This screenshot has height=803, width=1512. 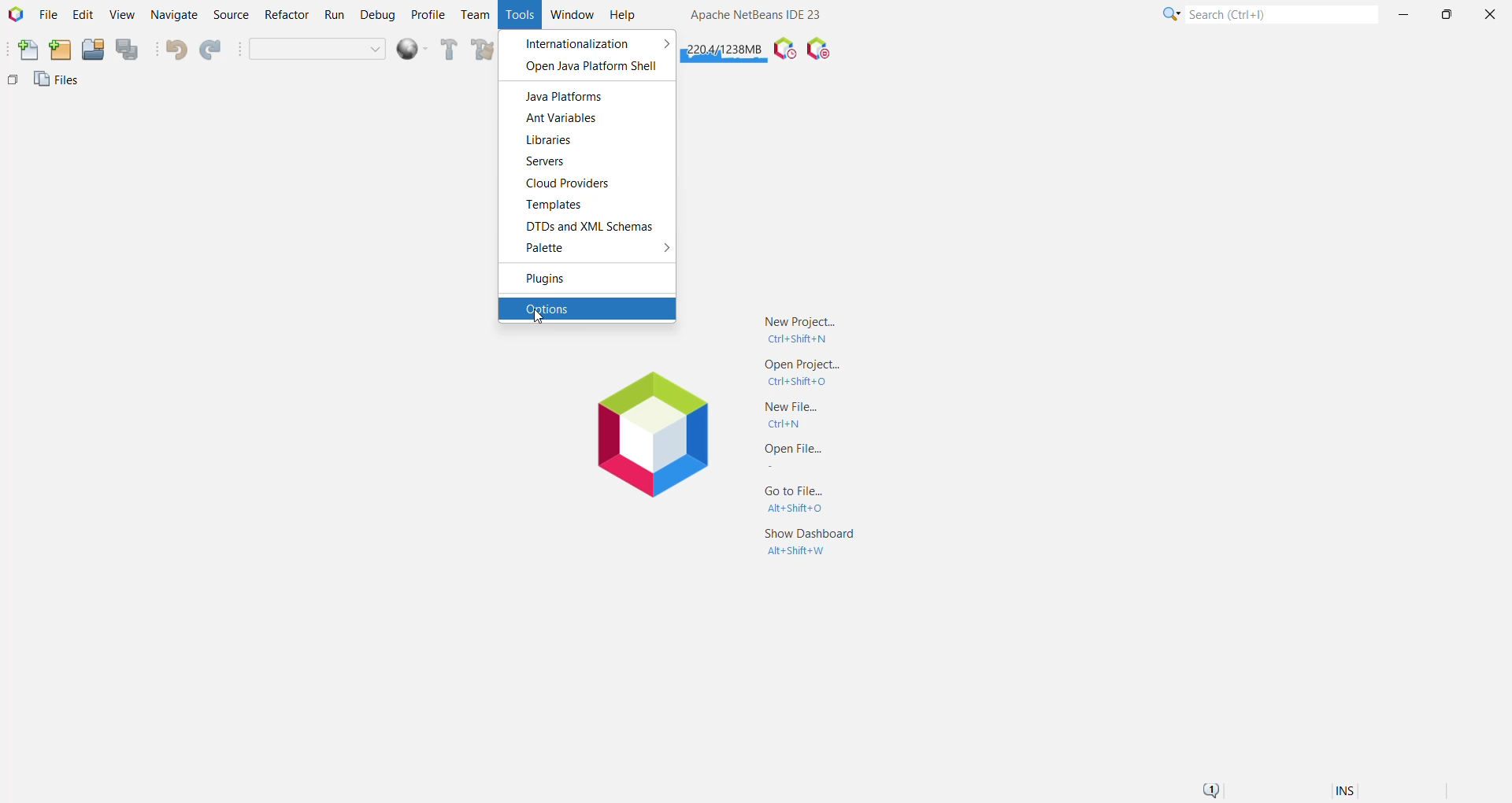 What do you see at coordinates (802, 371) in the screenshot?
I see `Open Project` at bounding box center [802, 371].